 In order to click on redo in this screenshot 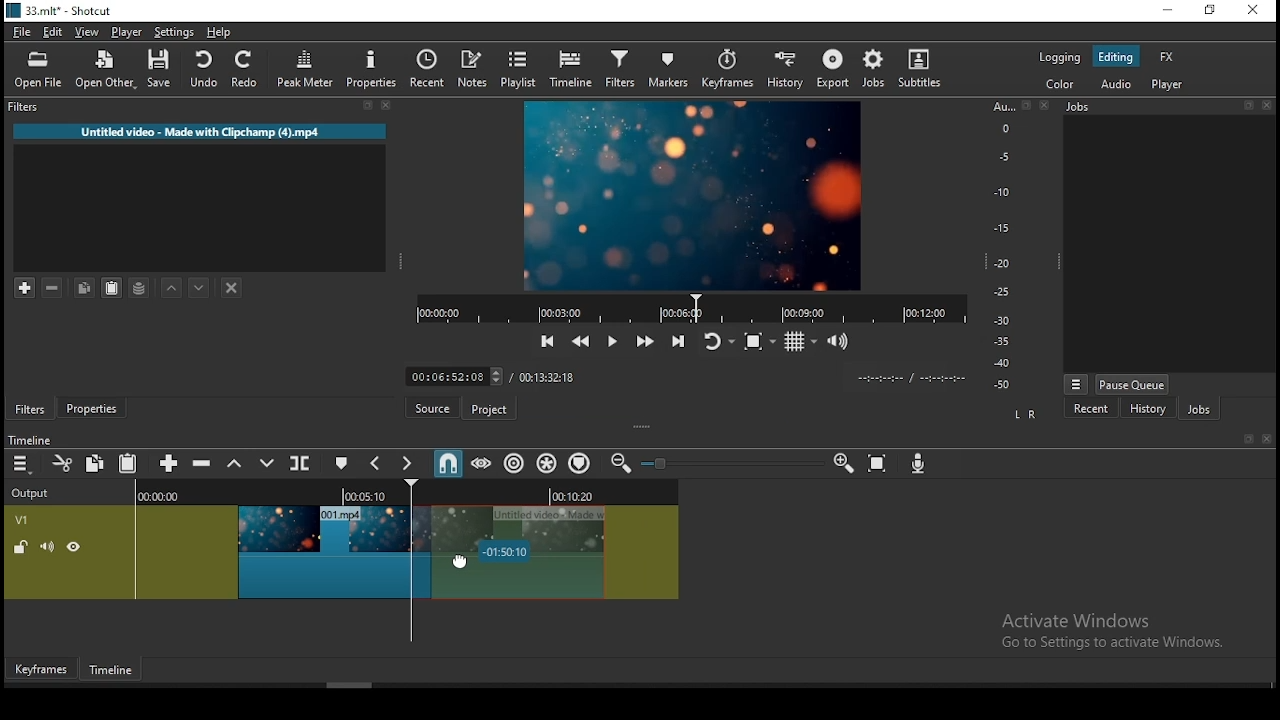, I will do `click(248, 72)`.